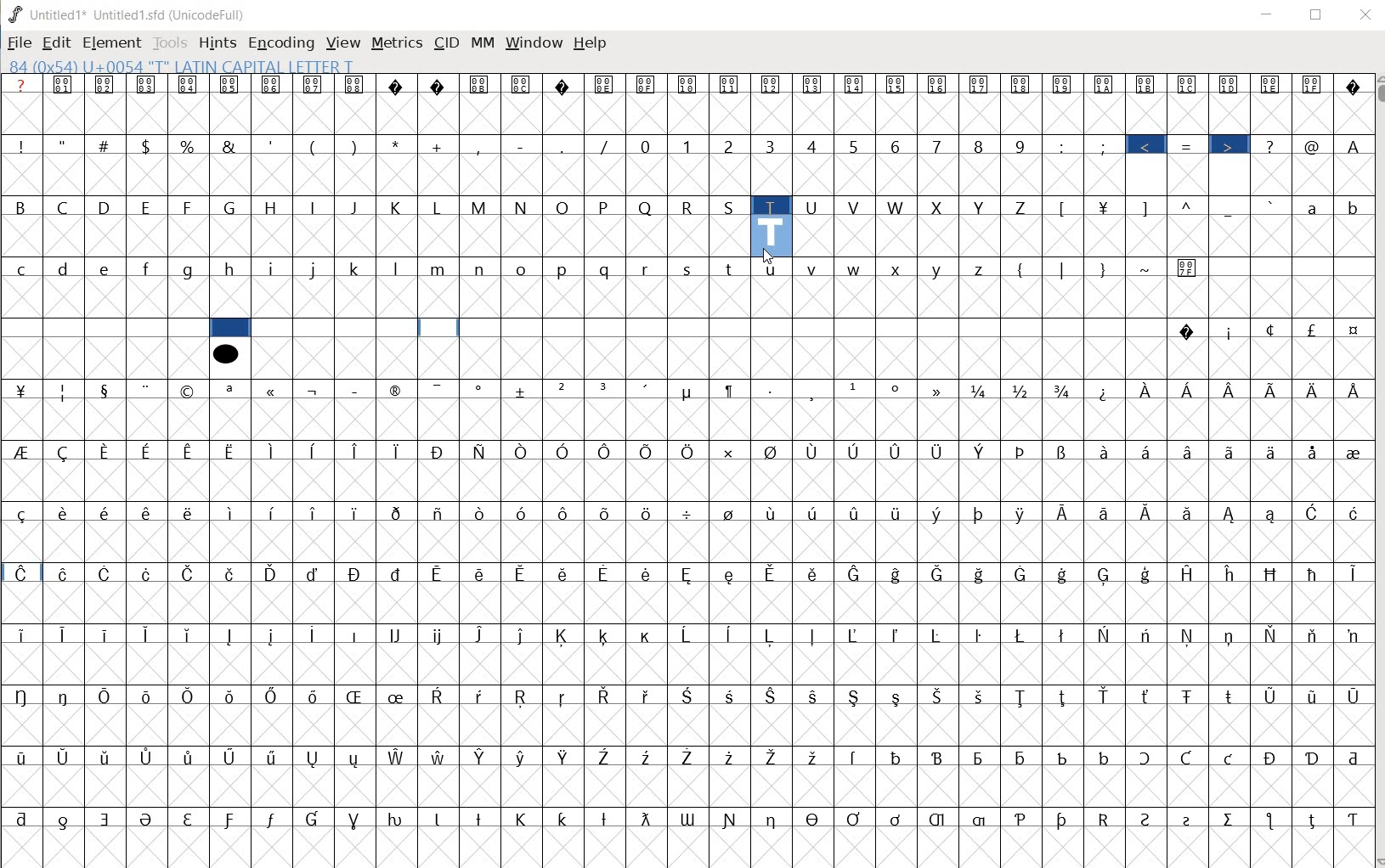  What do you see at coordinates (647, 146) in the screenshot?
I see `0` at bounding box center [647, 146].